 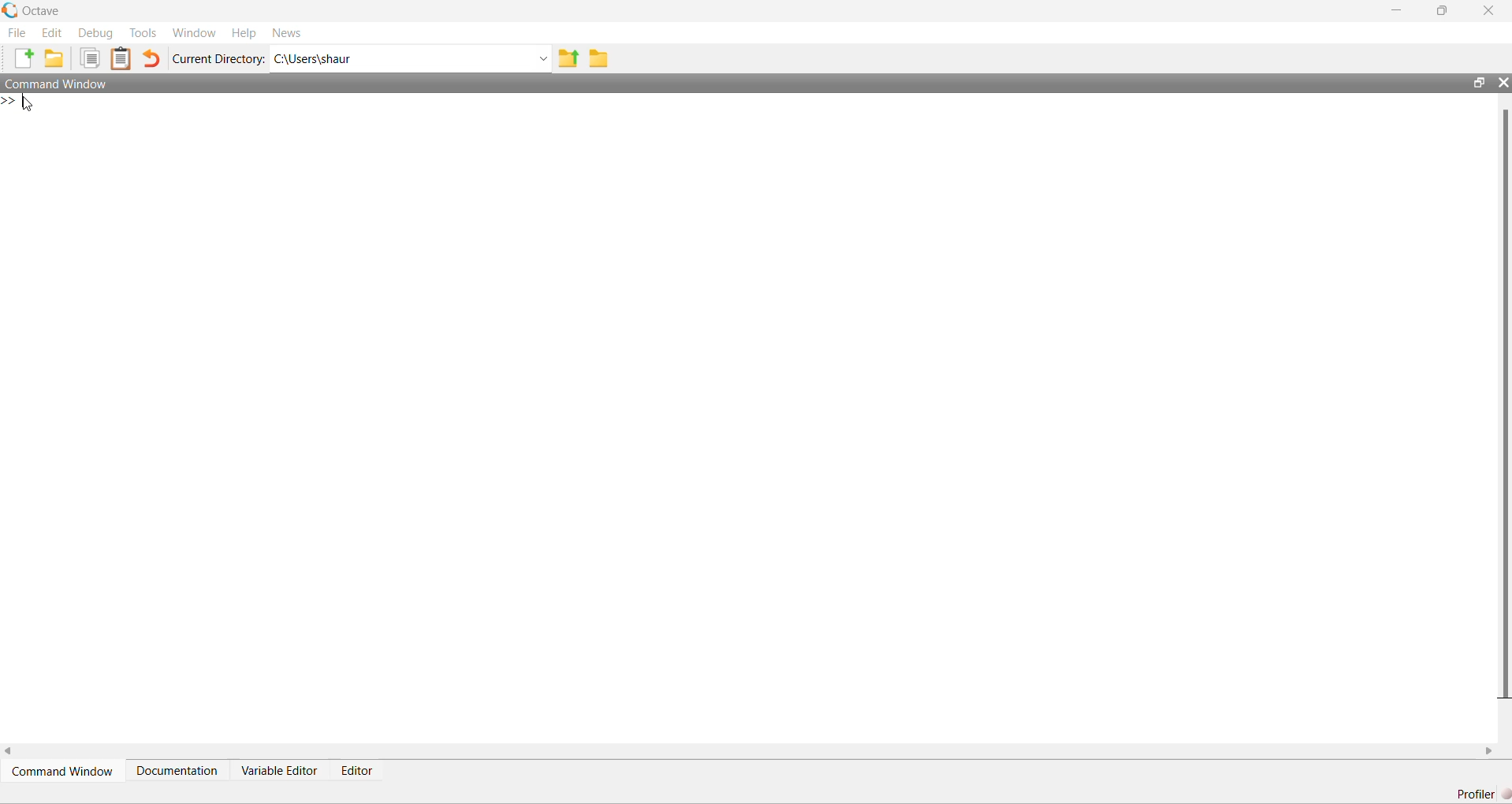 What do you see at coordinates (1504, 403) in the screenshot?
I see `scroll bar` at bounding box center [1504, 403].